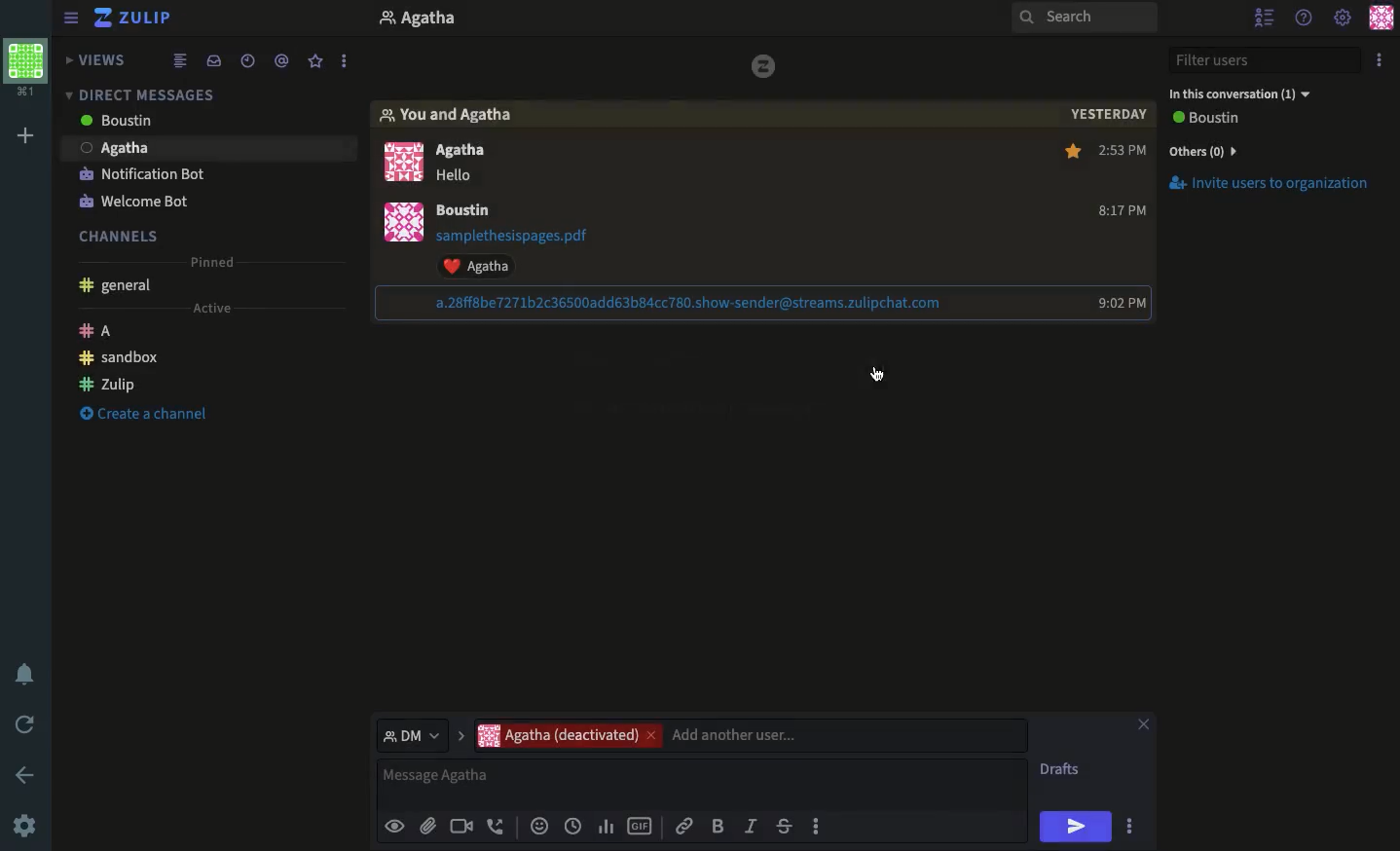  I want to click on options, so click(346, 56).